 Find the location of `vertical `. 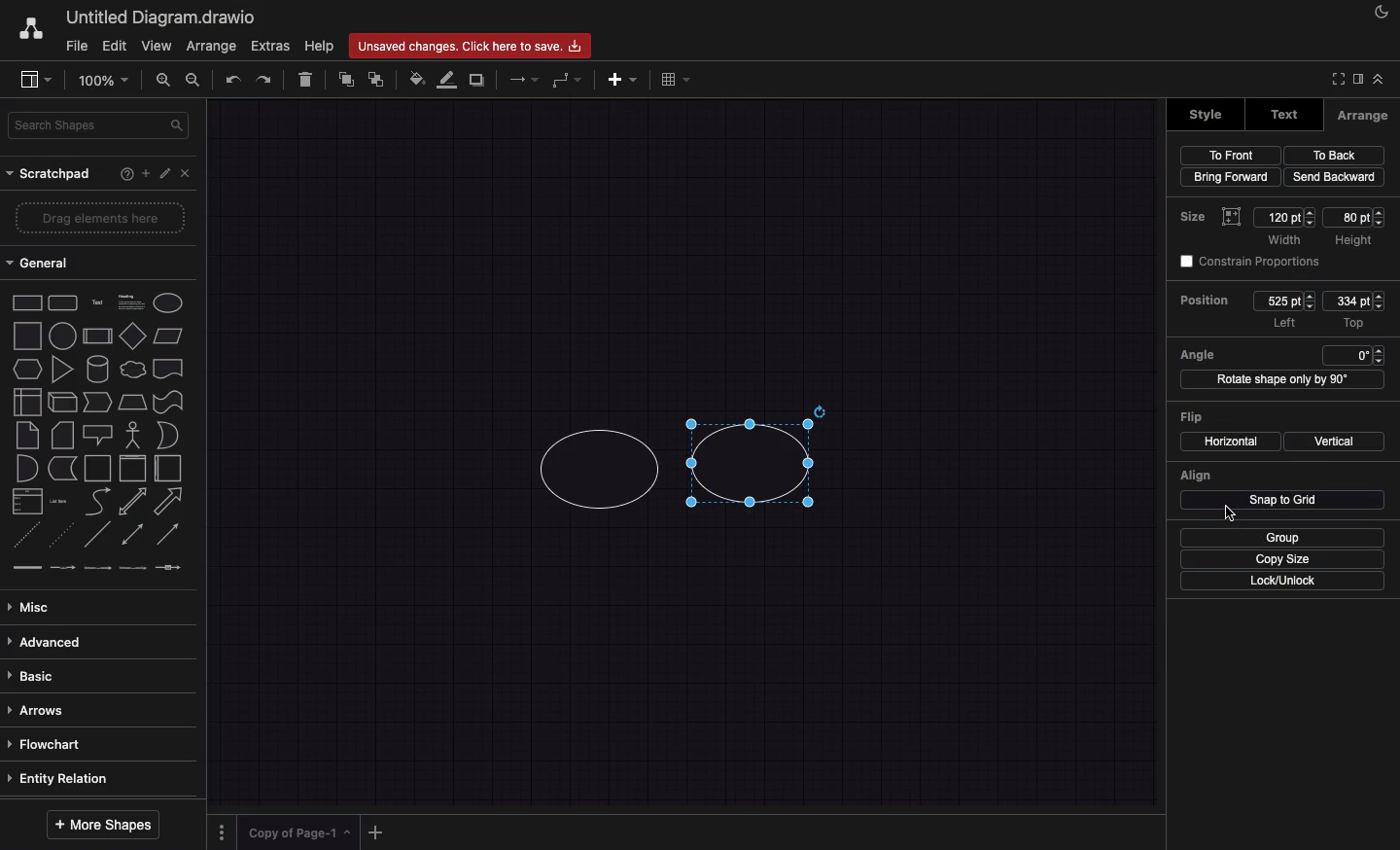

vertical  is located at coordinates (1334, 441).